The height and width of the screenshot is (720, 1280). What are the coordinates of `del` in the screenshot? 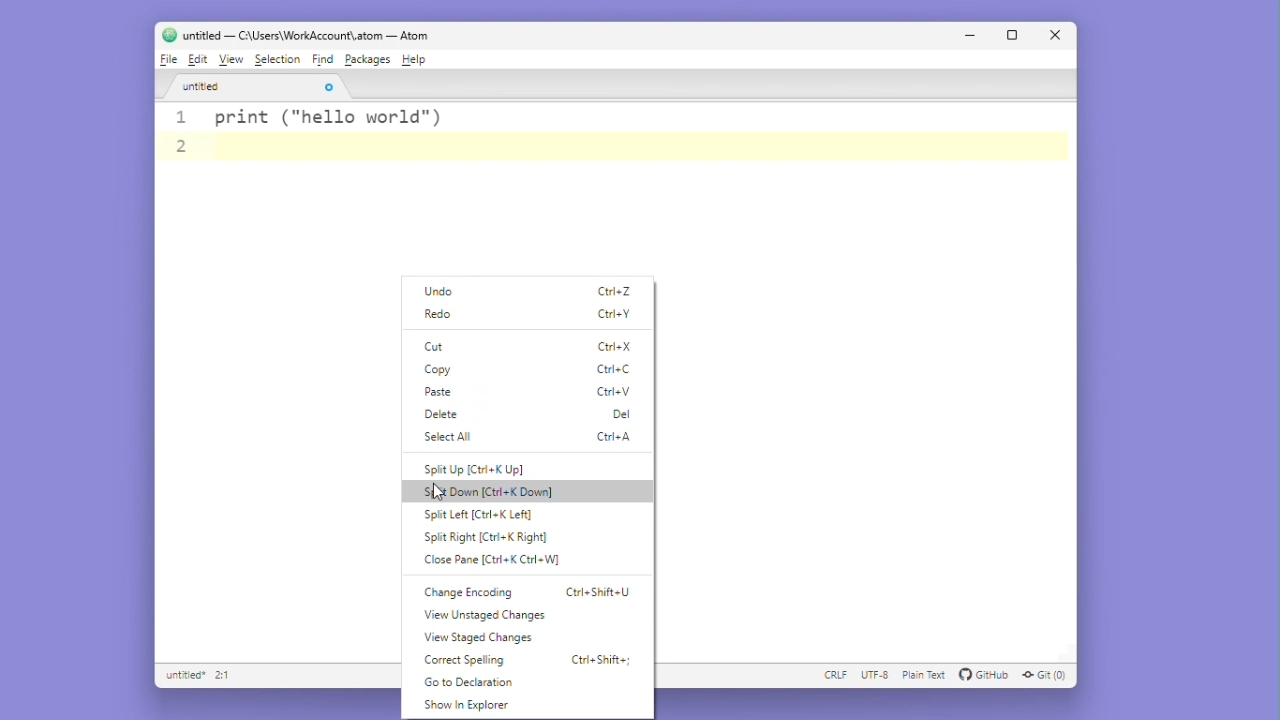 It's located at (619, 415).